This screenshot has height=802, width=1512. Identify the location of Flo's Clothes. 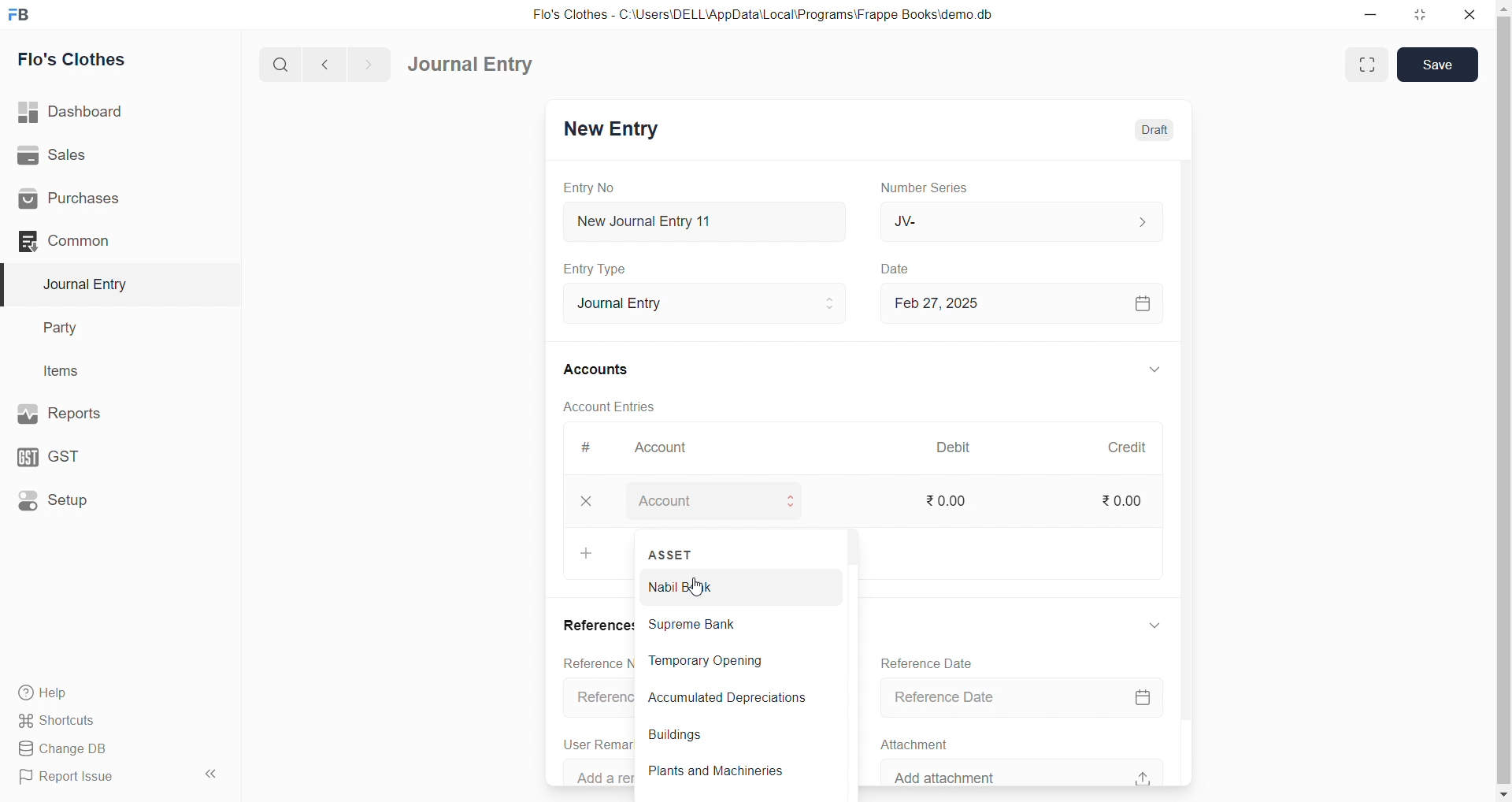
(80, 59).